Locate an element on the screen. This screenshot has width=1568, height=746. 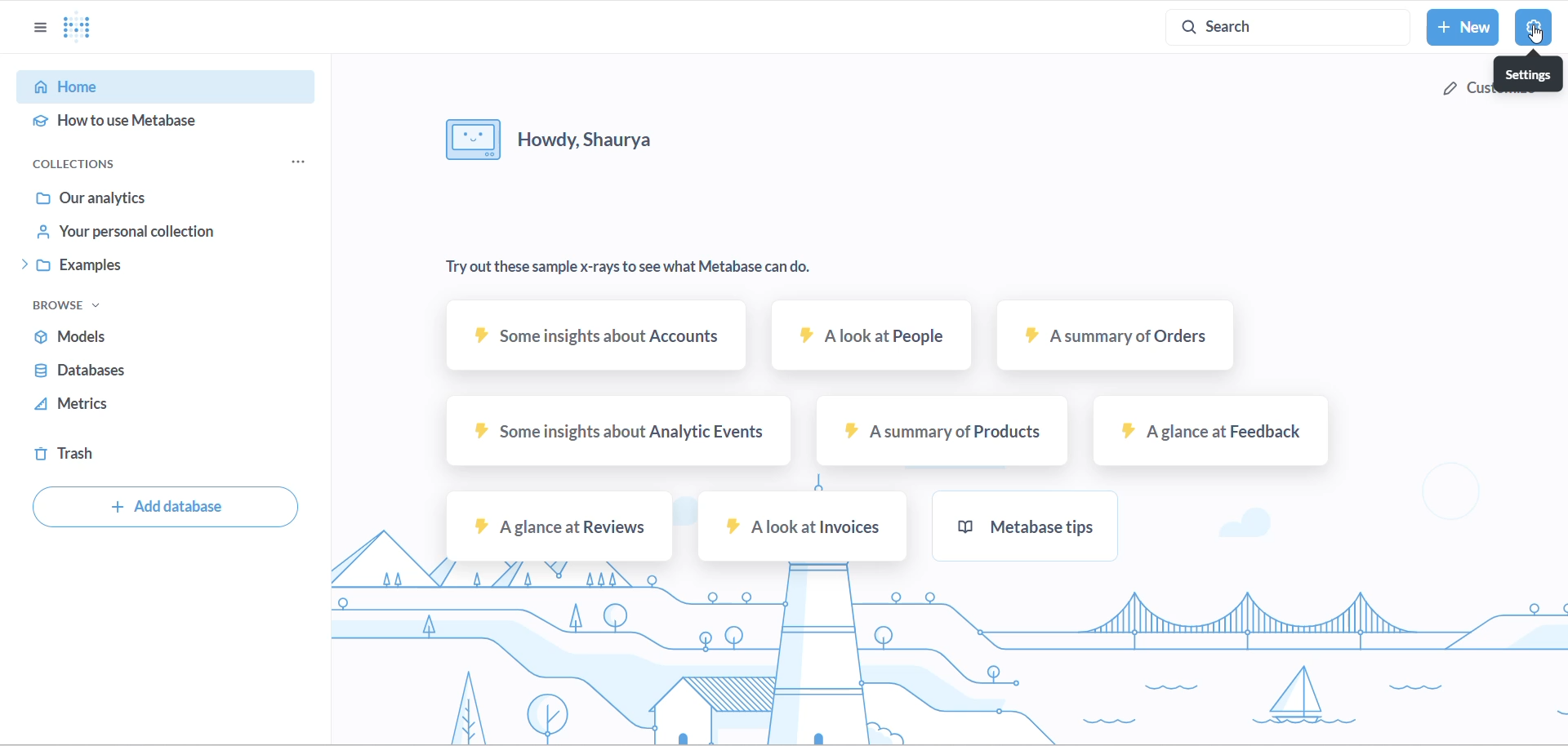
HELLO MESSAGE is located at coordinates (604, 144).